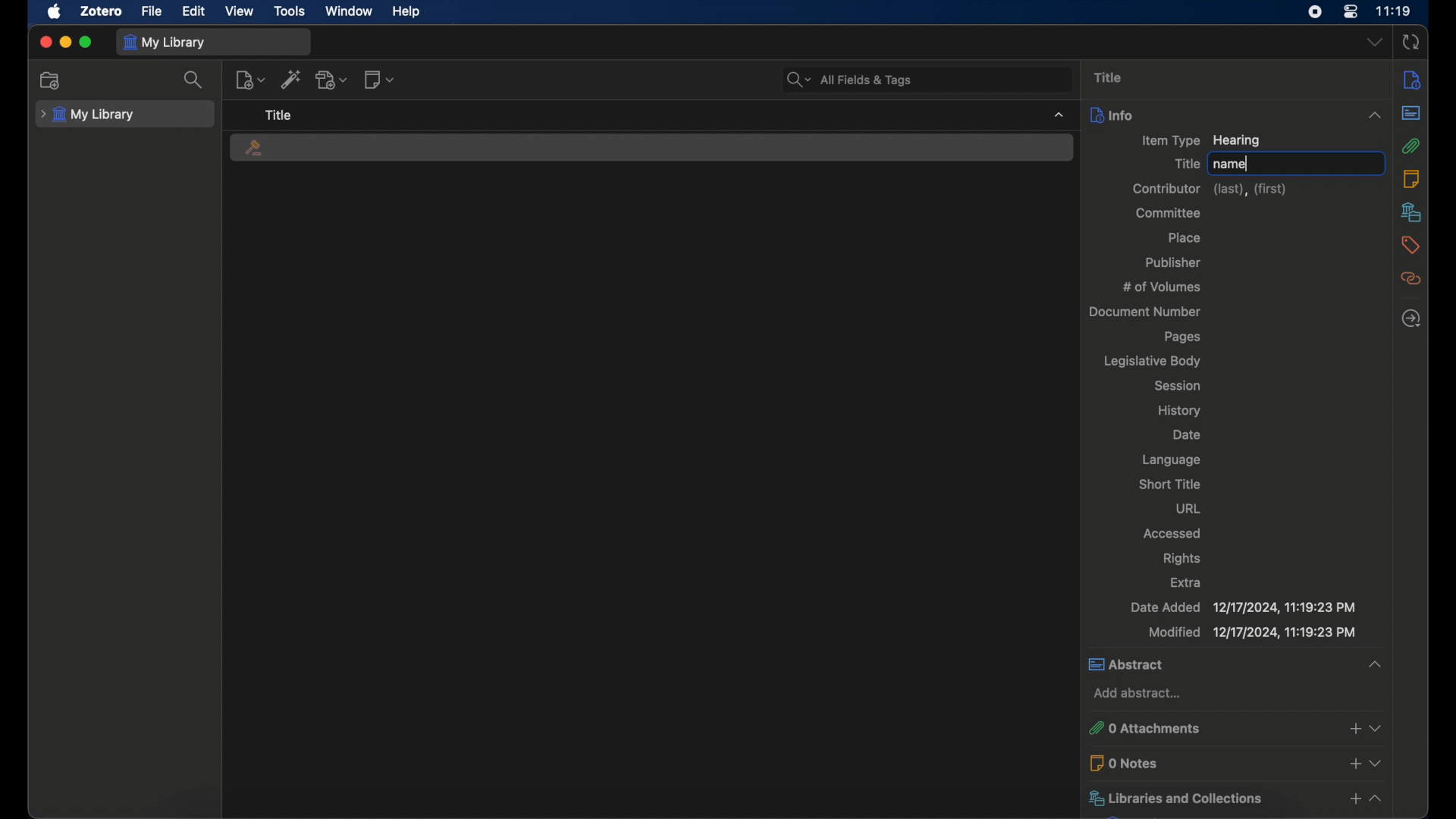 The width and height of the screenshot is (1456, 819). What do you see at coordinates (1411, 212) in the screenshot?
I see `libraries` at bounding box center [1411, 212].